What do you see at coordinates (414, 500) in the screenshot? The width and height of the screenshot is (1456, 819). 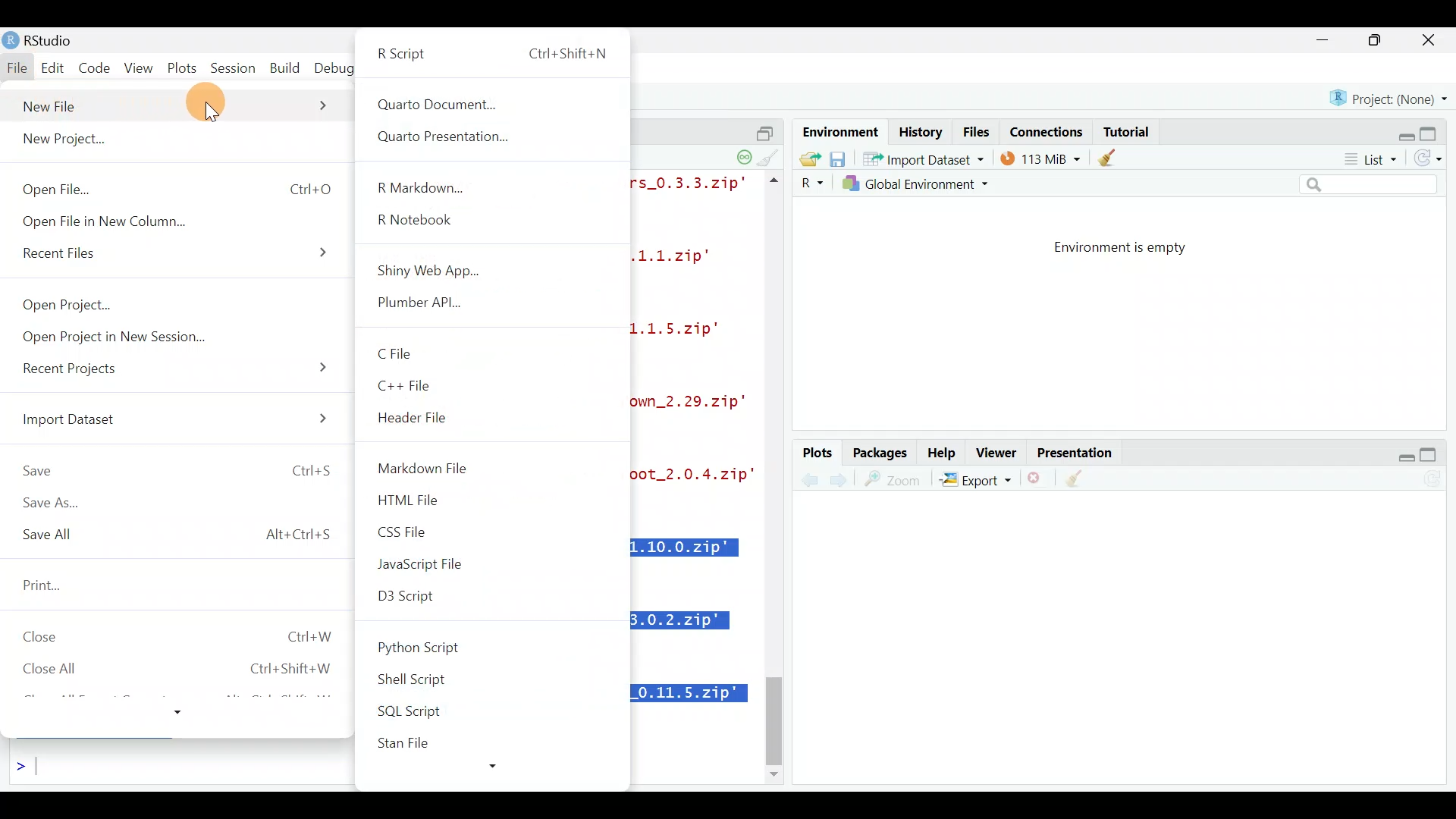 I see `HTML File` at bounding box center [414, 500].